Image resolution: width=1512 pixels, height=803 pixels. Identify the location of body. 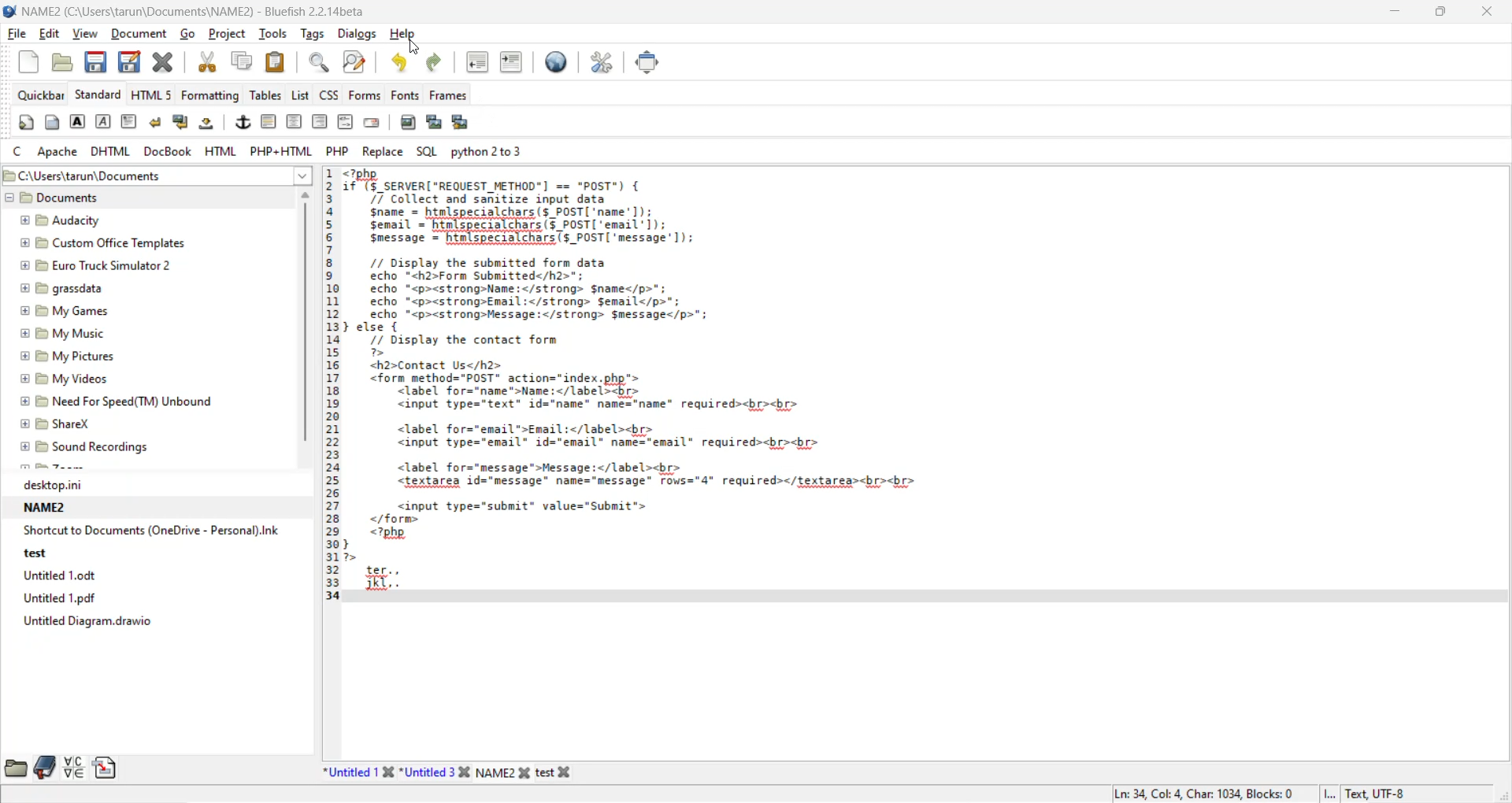
(56, 124).